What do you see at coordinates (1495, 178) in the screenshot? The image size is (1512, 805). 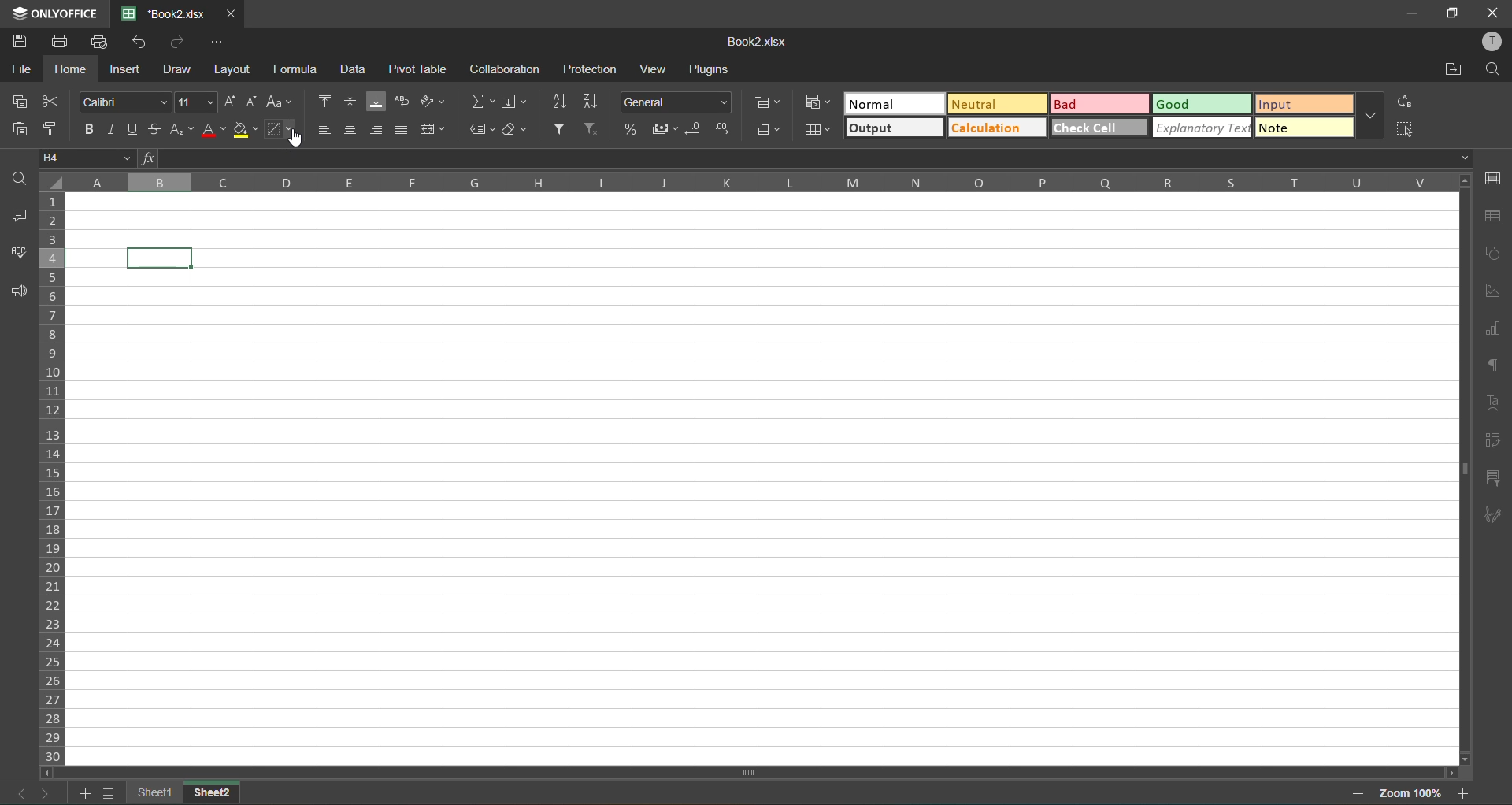 I see `cell settings` at bounding box center [1495, 178].